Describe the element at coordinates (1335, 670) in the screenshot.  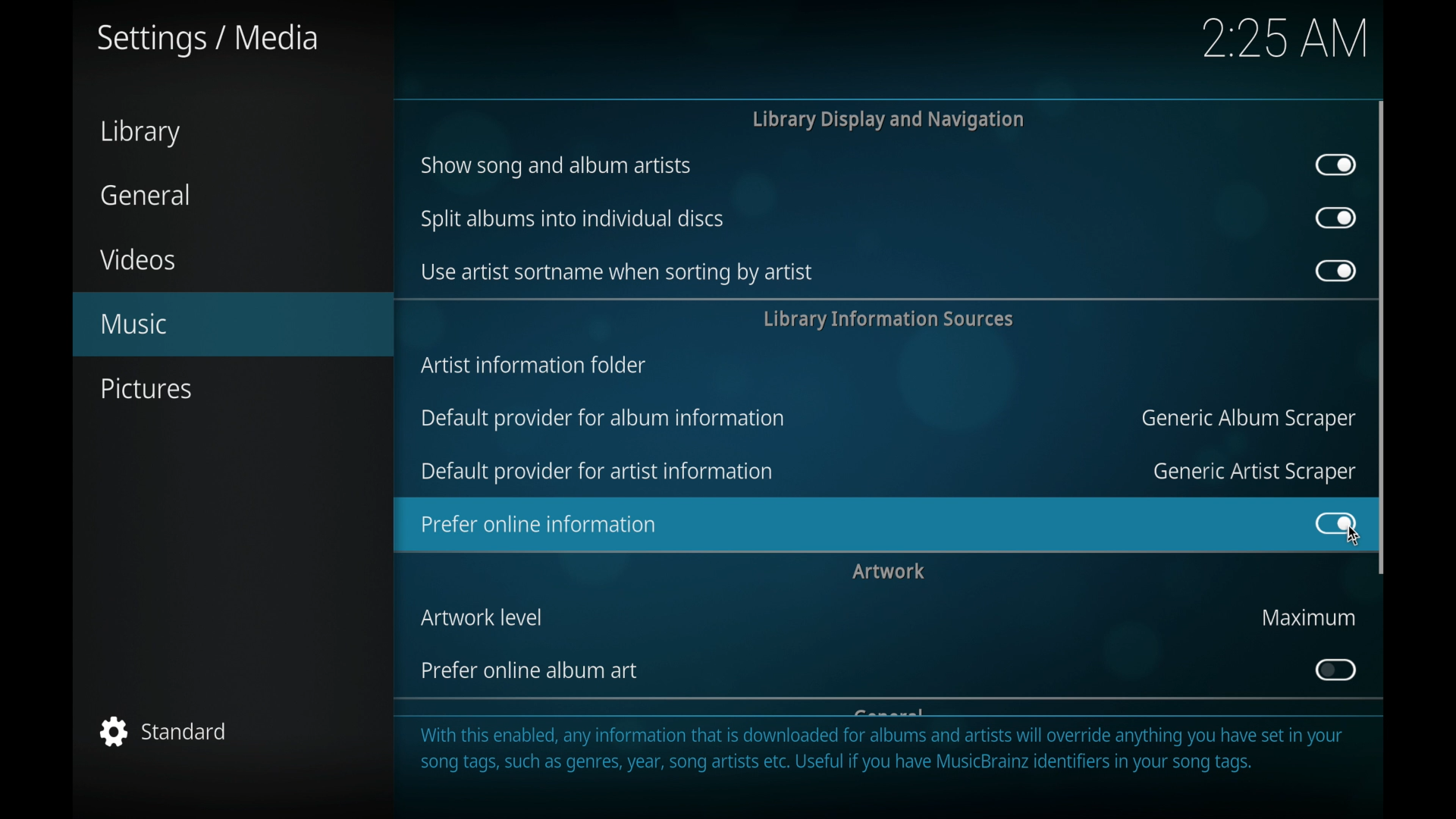
I see `toggle button` at that location.